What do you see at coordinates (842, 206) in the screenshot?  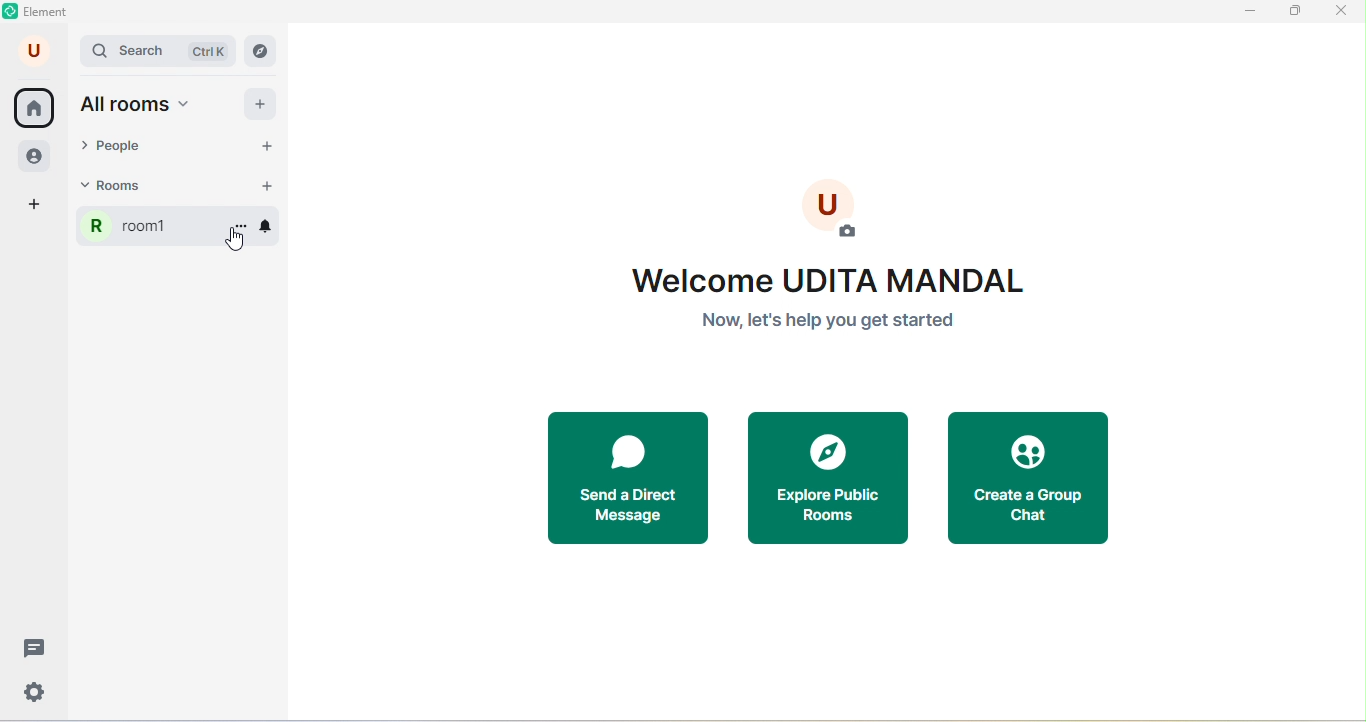 I see `add photo` at bounding box center [842, 206].